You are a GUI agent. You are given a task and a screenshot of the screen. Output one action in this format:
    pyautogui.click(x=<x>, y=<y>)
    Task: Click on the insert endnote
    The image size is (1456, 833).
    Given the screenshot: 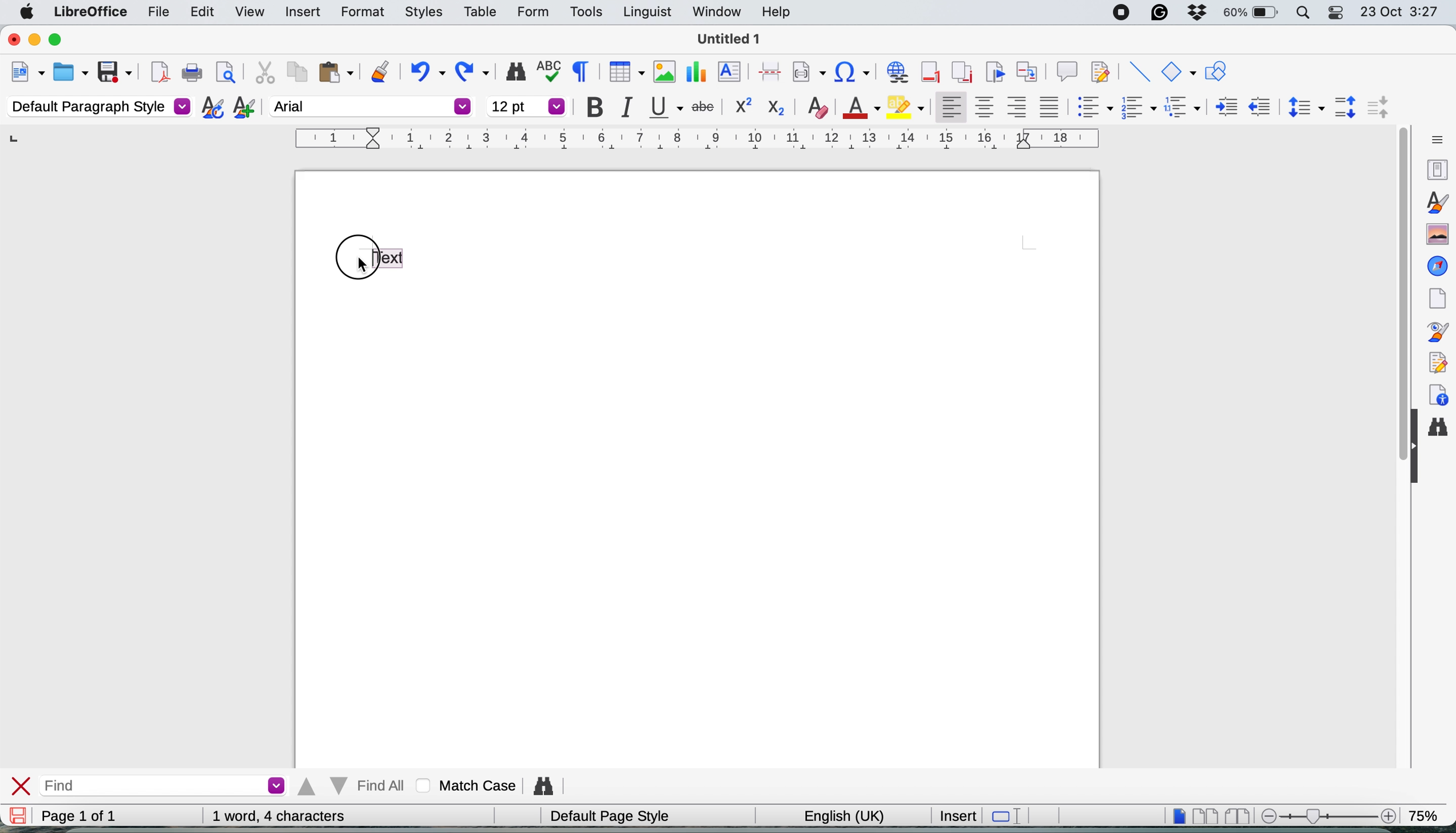 What is the action you would take?
    pyautogui.click(x=959, y=73)
    